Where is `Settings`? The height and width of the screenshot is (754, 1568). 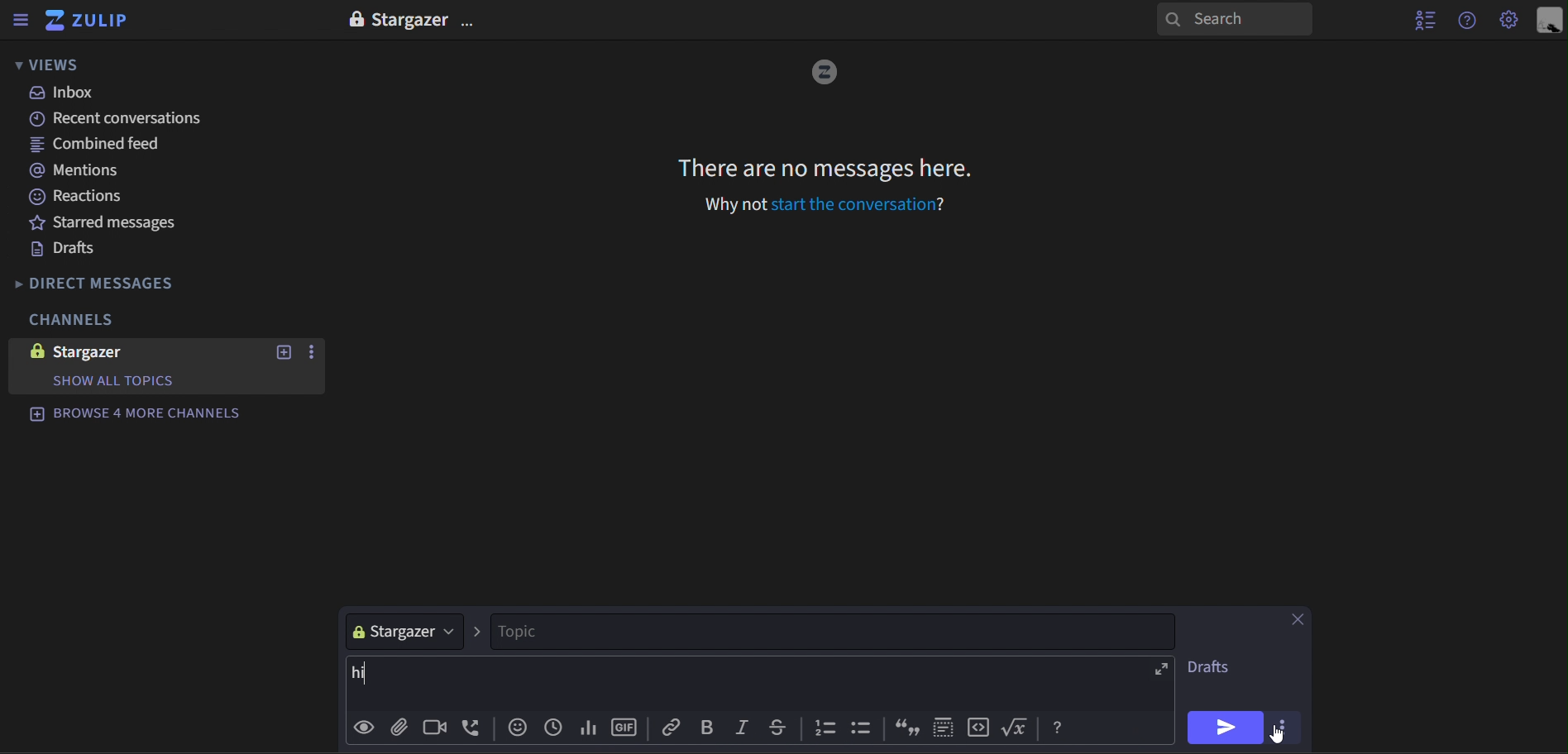 Settings is located at coordinates (1508, 21).